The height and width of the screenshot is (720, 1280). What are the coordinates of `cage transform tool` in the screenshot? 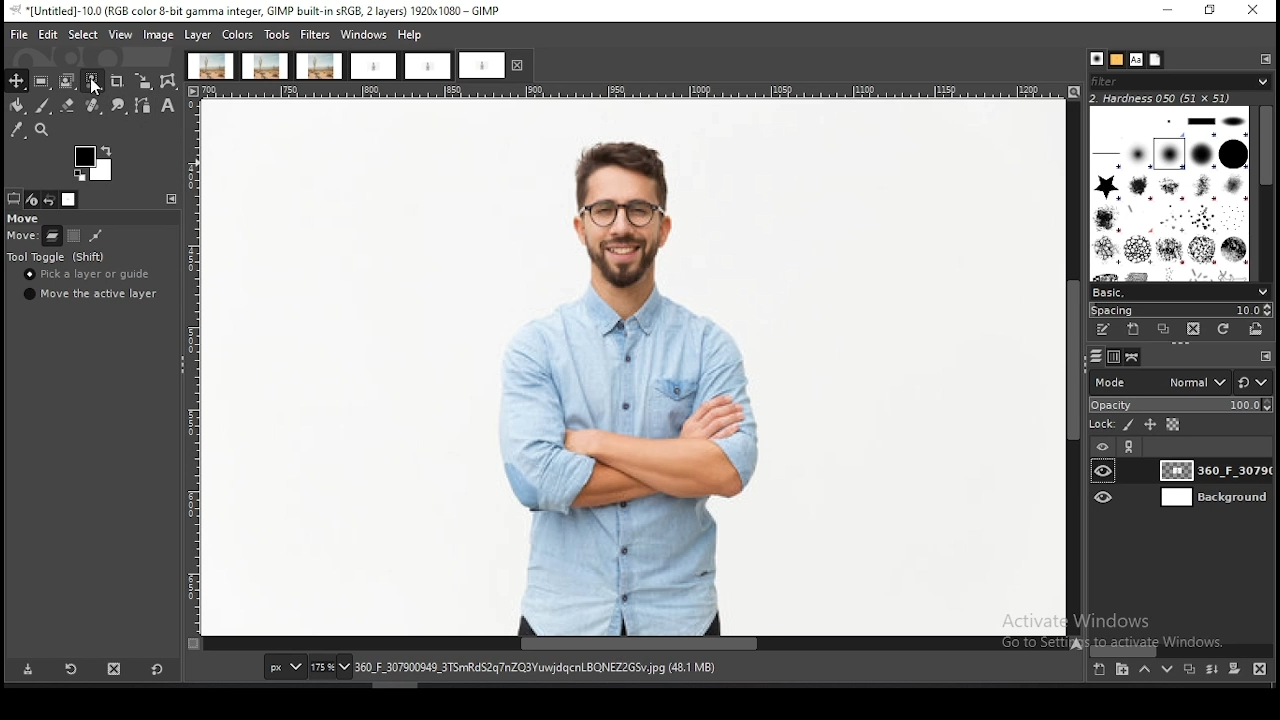 It's located at (170, 81).